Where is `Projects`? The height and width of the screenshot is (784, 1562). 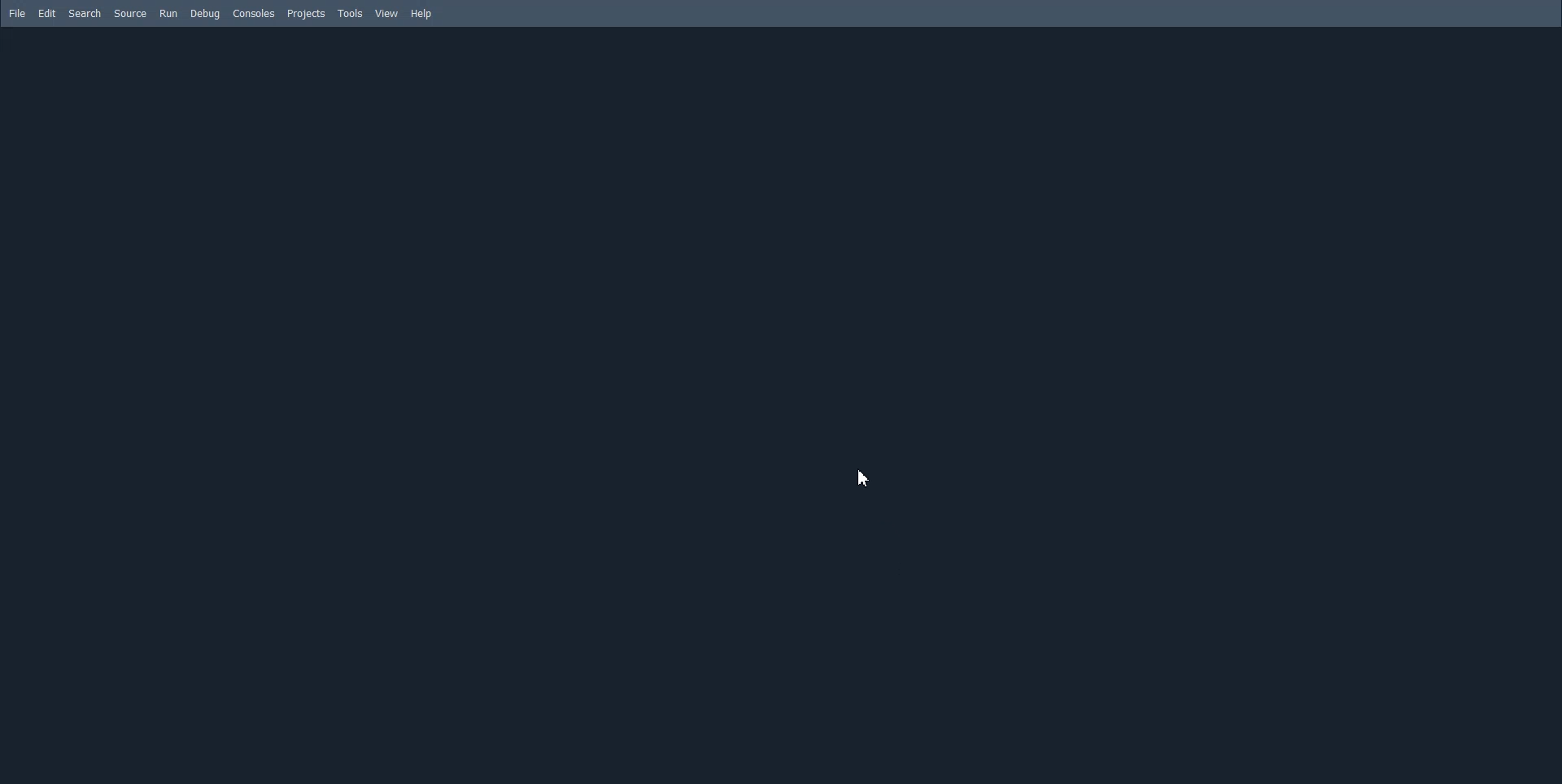
Projects is located at coordinates (308, 15).